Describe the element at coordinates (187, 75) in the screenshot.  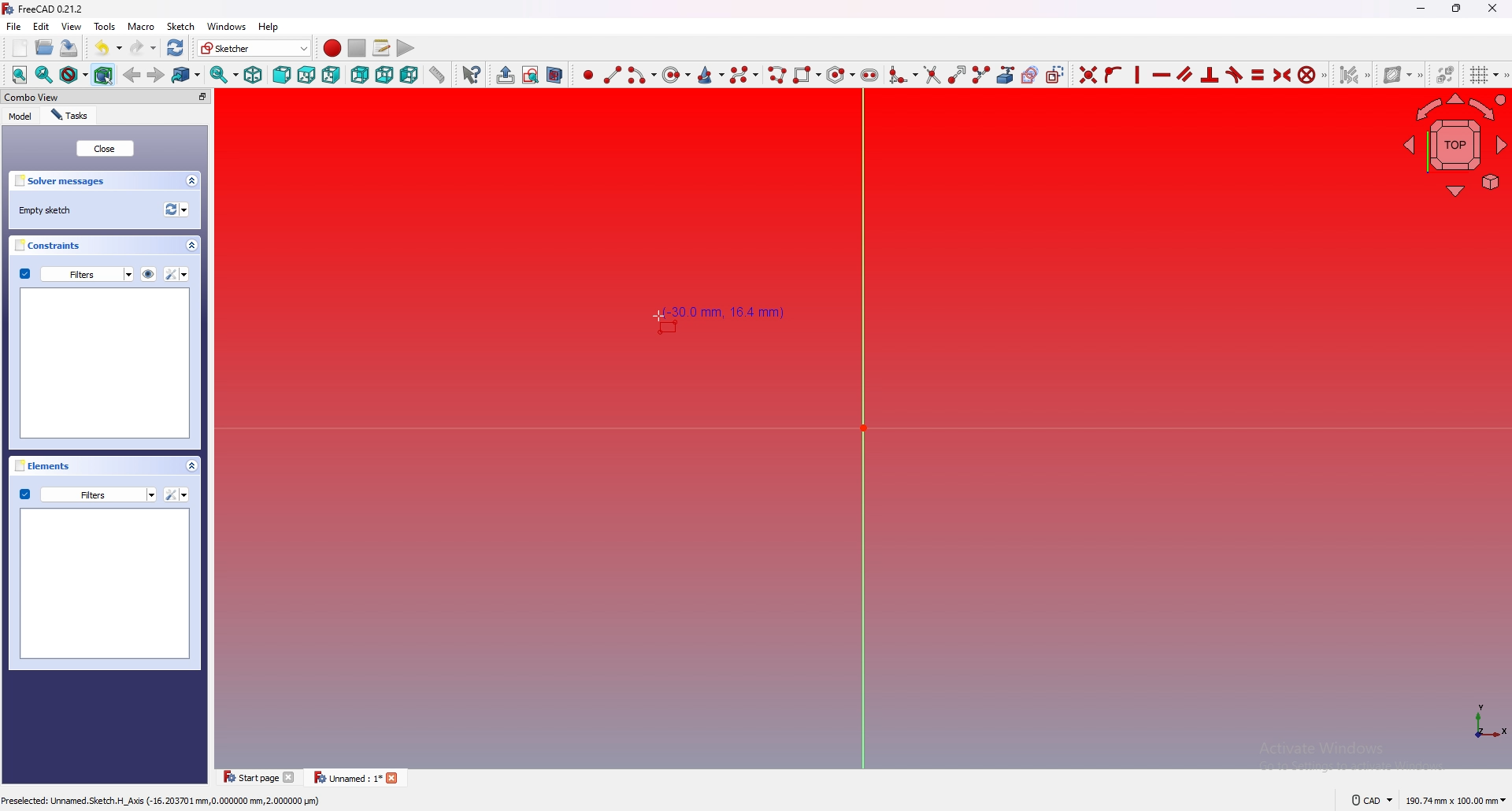
I see `goto linked object` at that location.